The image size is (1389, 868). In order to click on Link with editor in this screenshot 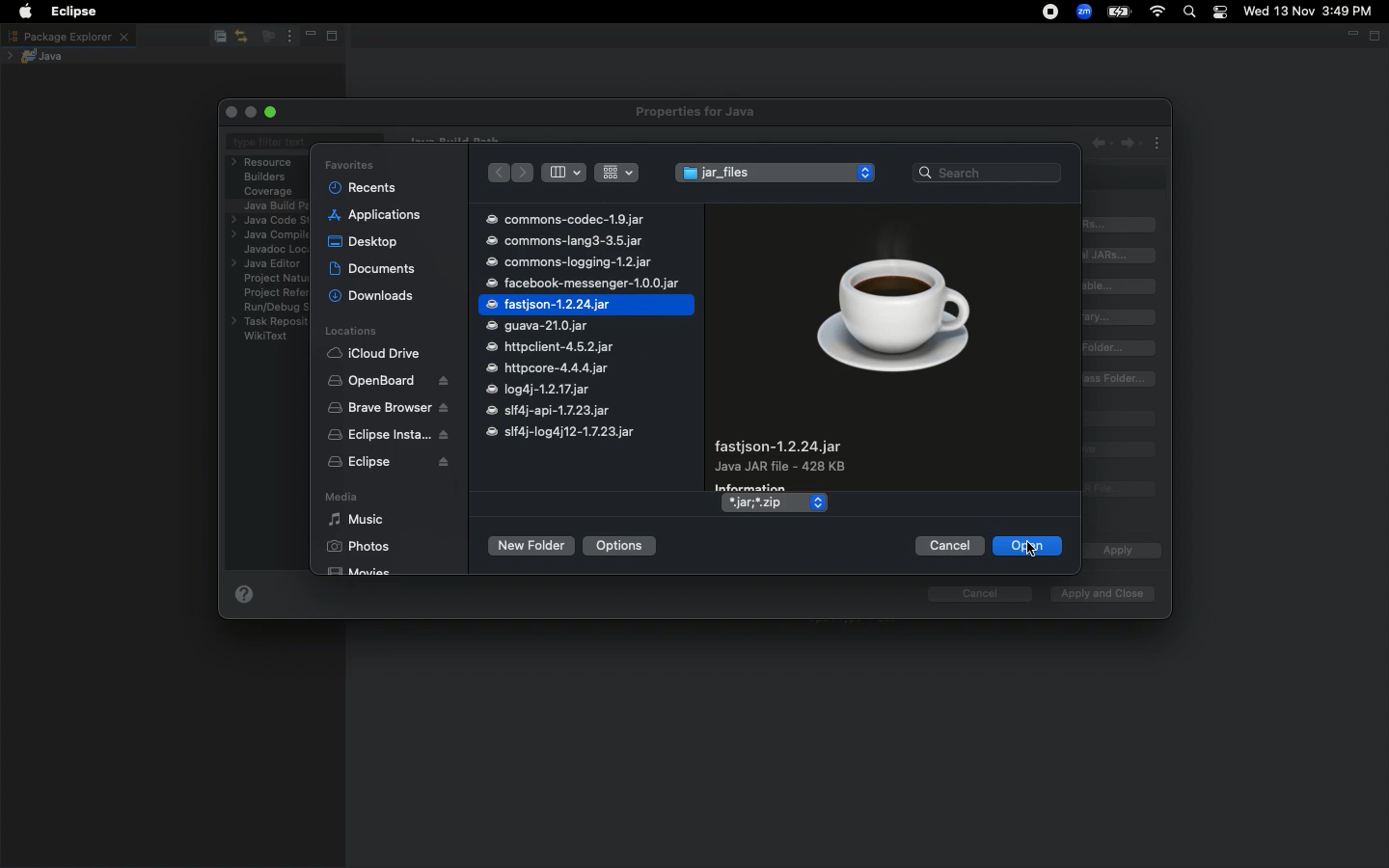, I will do `click(242, 36)`.